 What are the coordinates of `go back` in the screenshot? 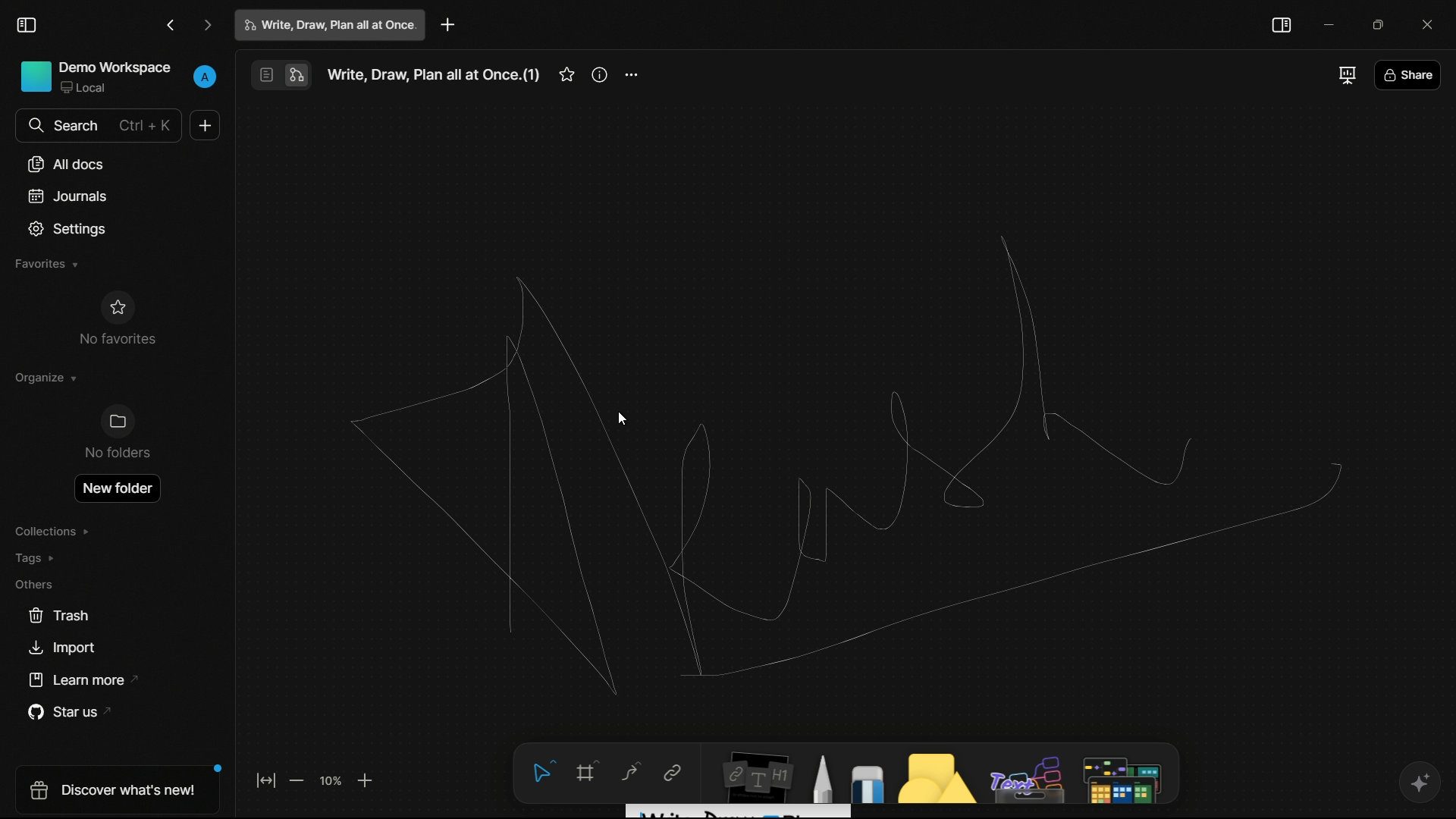 It's located at (172, 27).